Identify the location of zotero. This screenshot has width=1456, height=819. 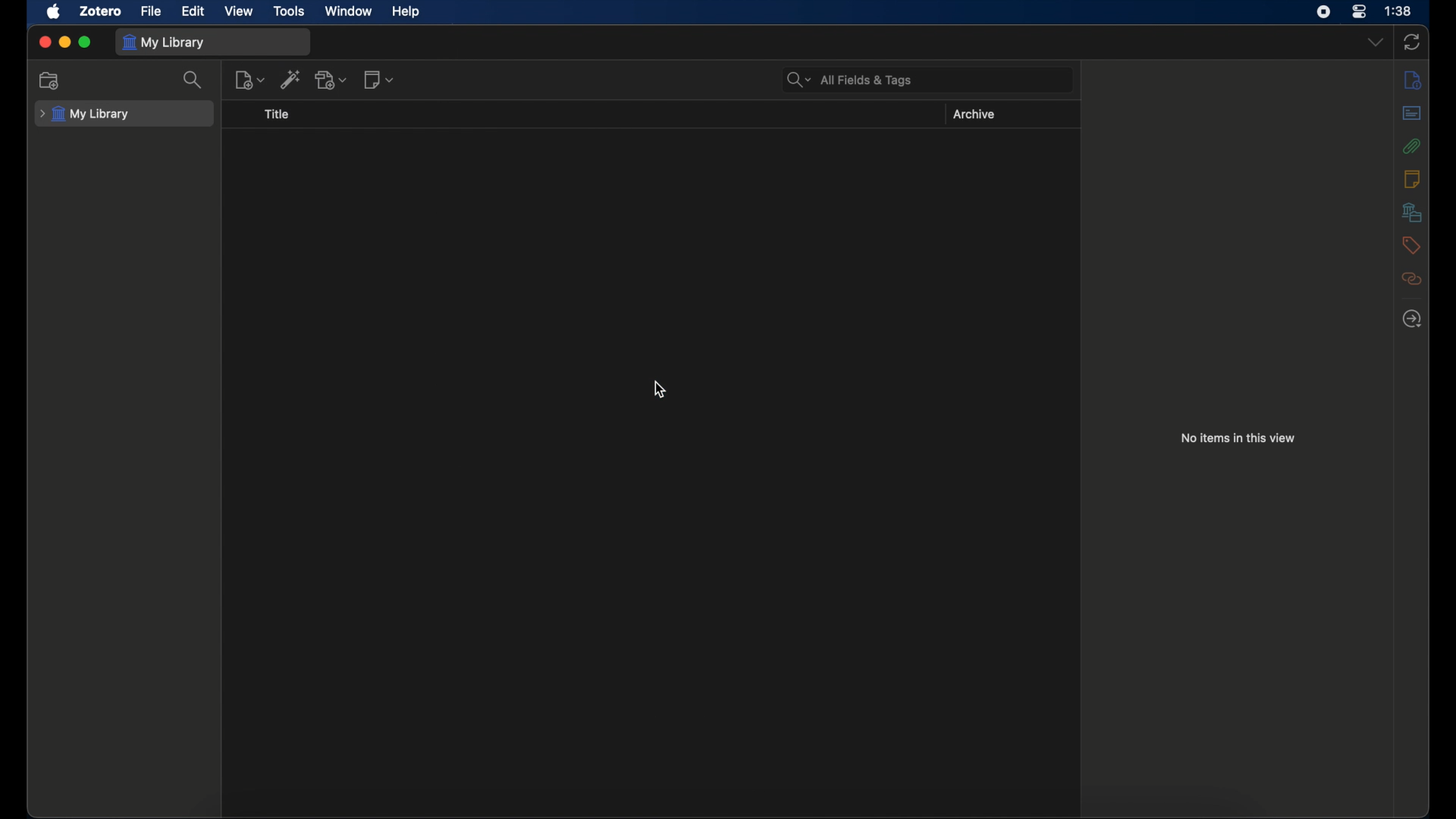
(101, 11).